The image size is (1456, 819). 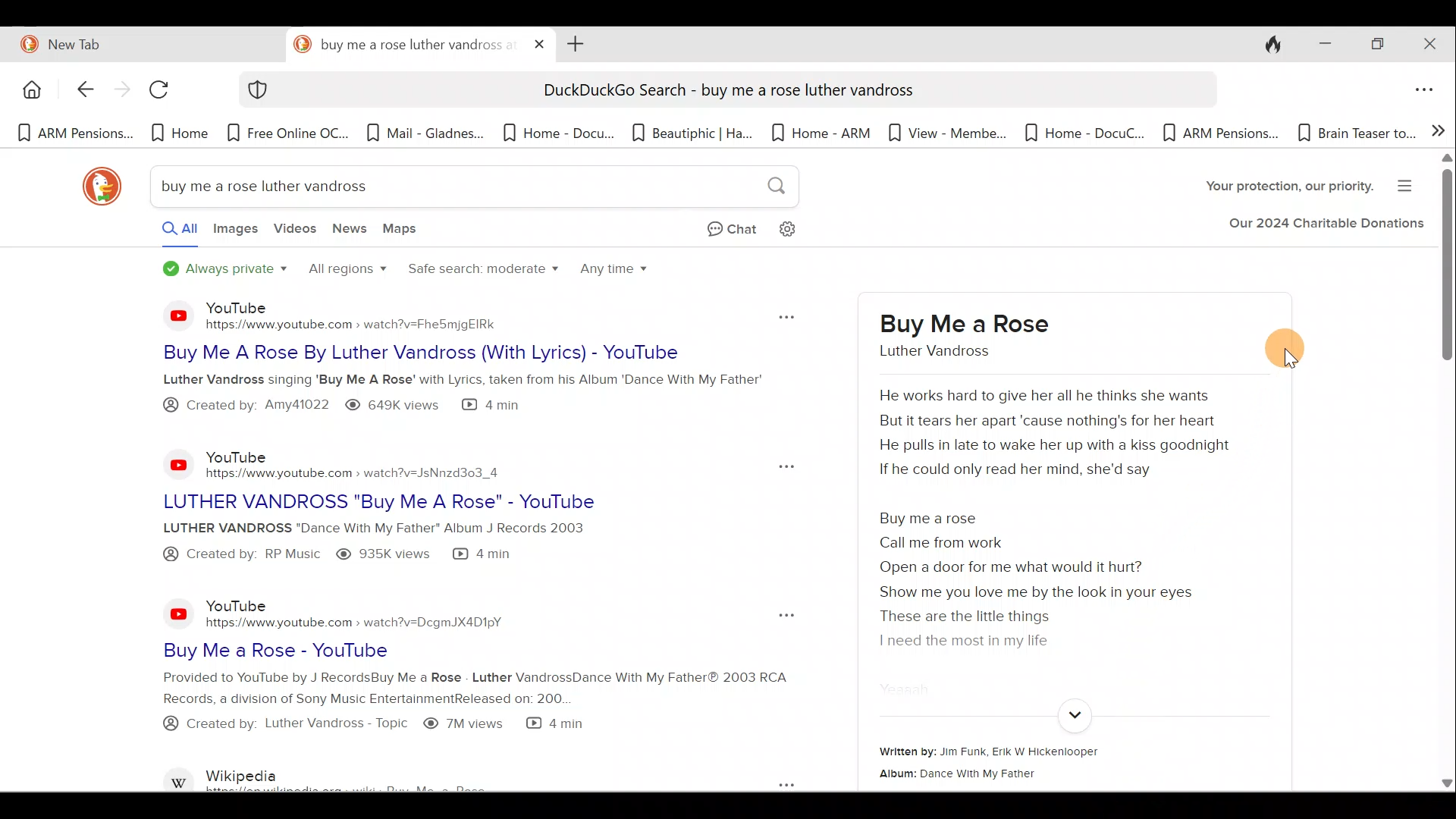 What do you see at coordinates (180, 777) in the screenshot?
I see `Wikipedia logo` at bounding box center [180, 777].